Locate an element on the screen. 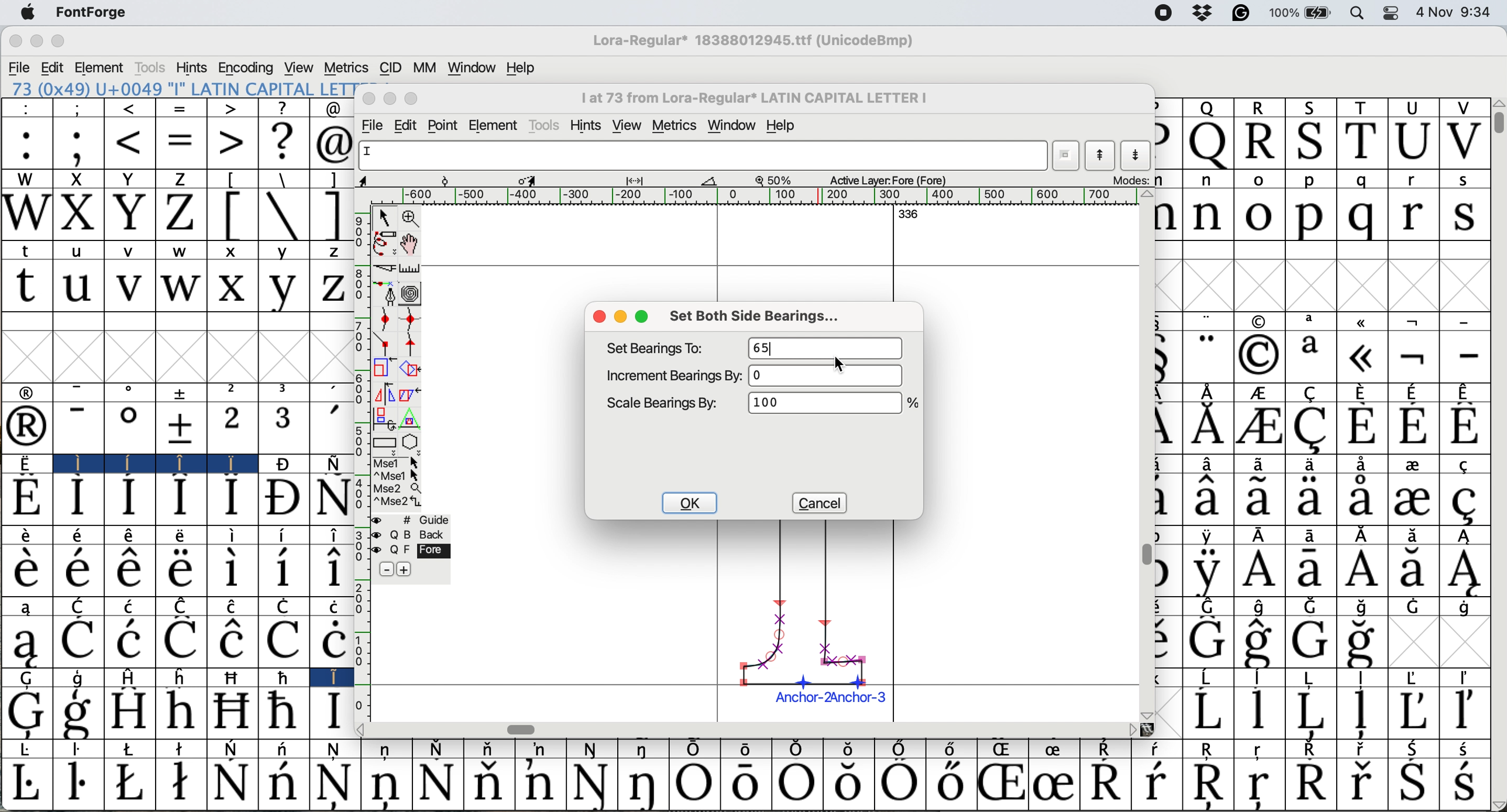 This screenshot has height=812, width=1507. - is located at coordinates (1466, 356).